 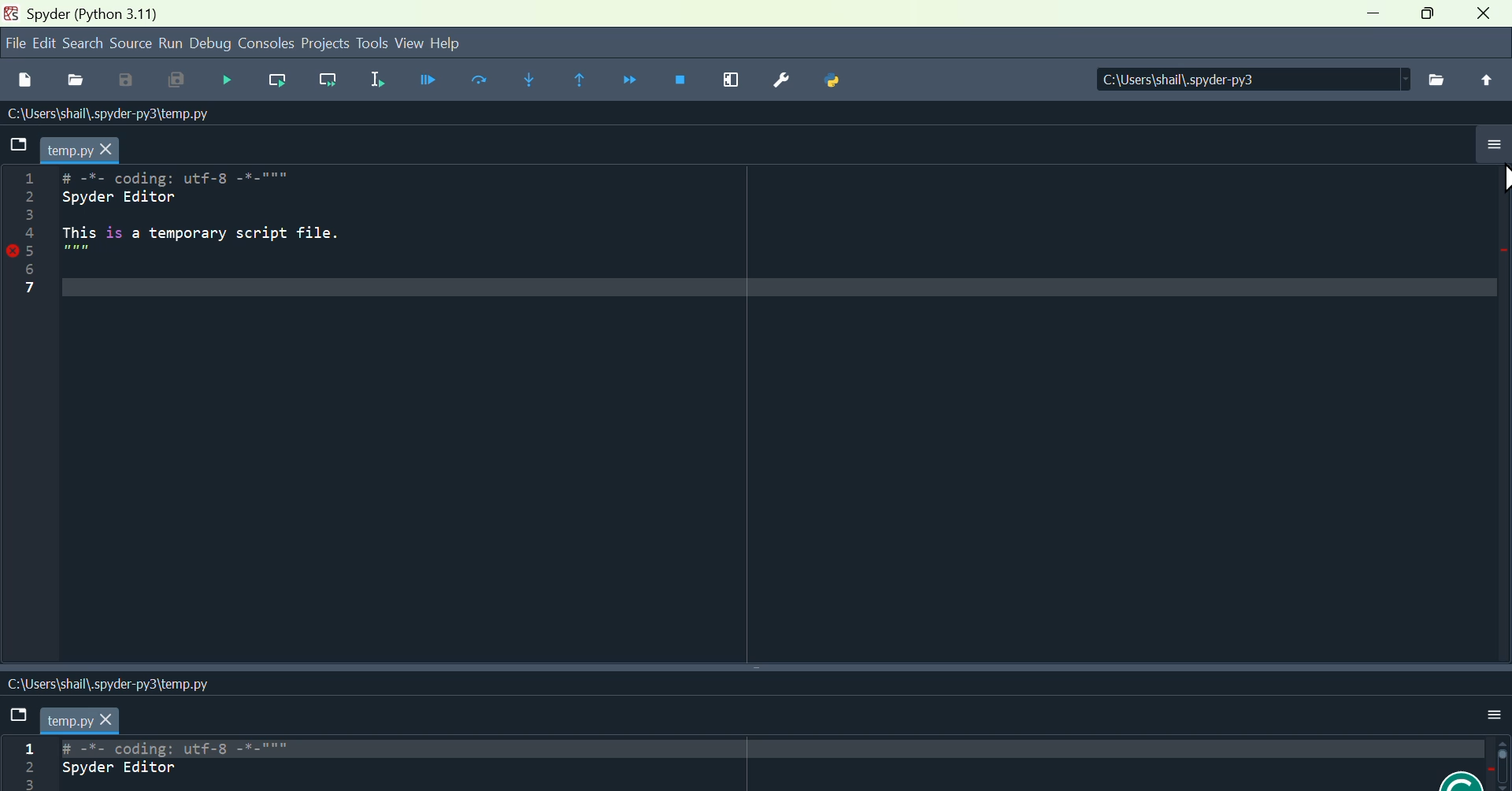 I want to click on More option, so click(x=1496, y=710).